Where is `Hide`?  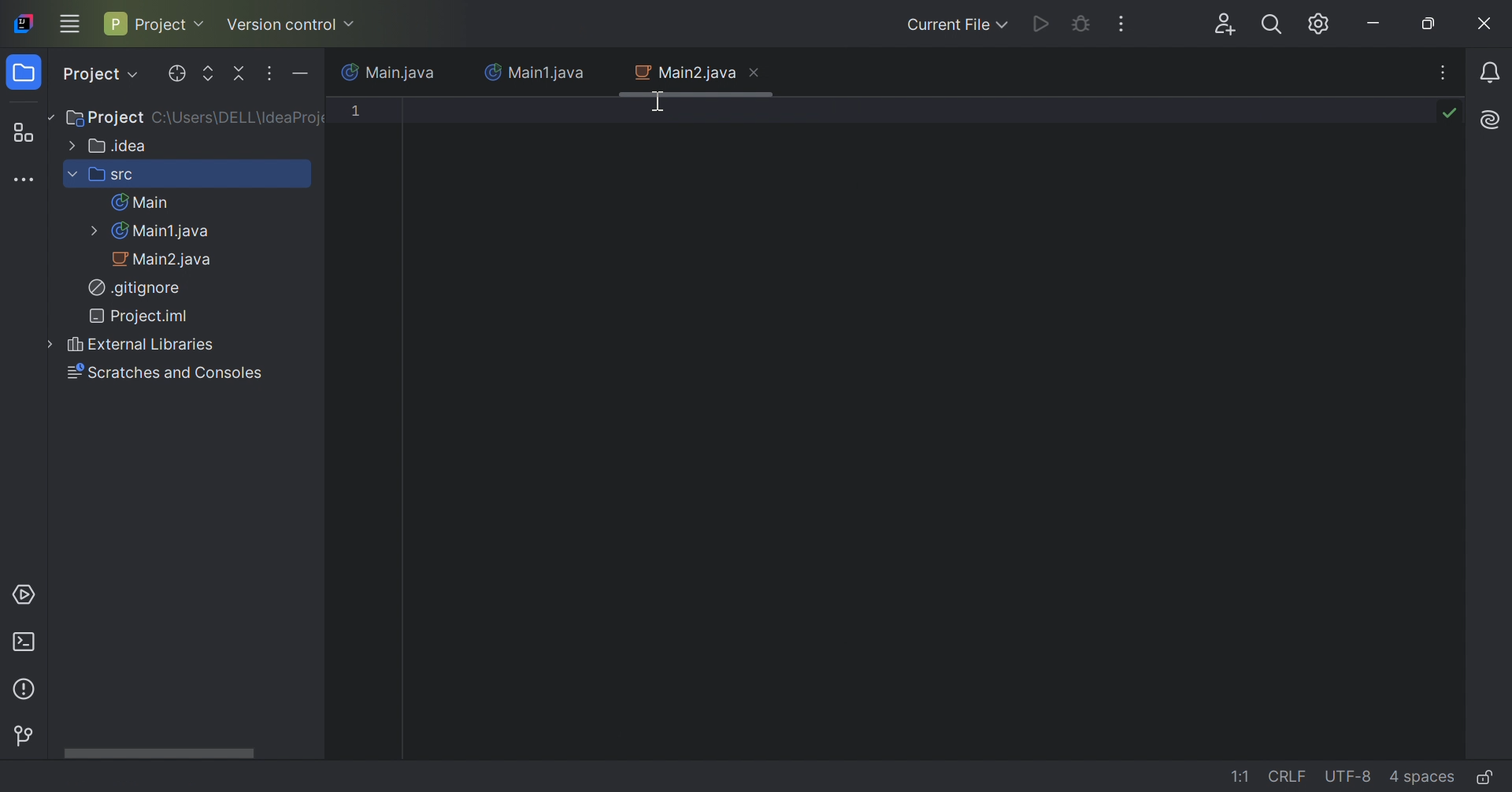 Hide is located at coordinates (302, 75).